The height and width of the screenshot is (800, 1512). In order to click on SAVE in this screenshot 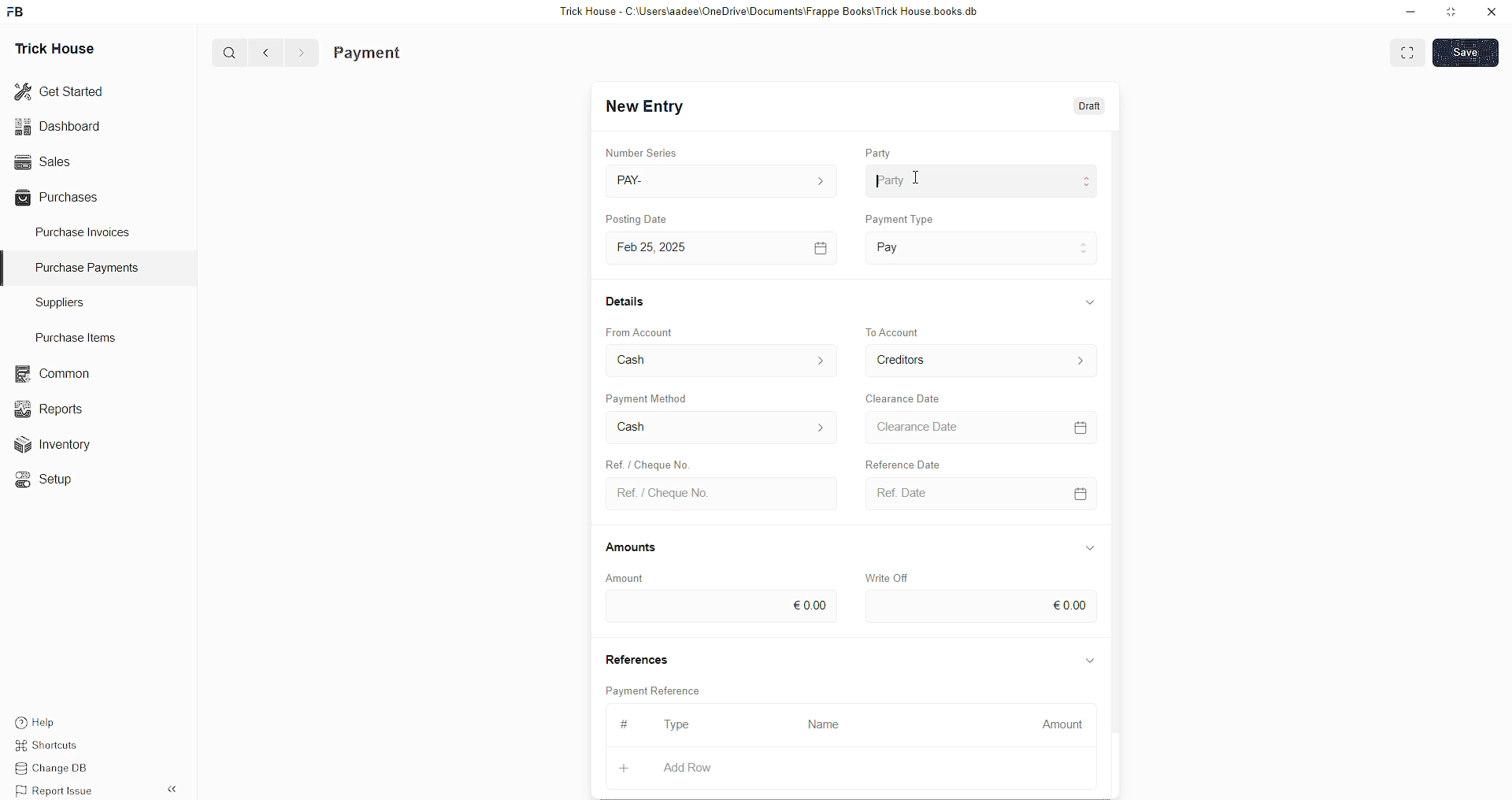, I will do `click(1469, 51)`.